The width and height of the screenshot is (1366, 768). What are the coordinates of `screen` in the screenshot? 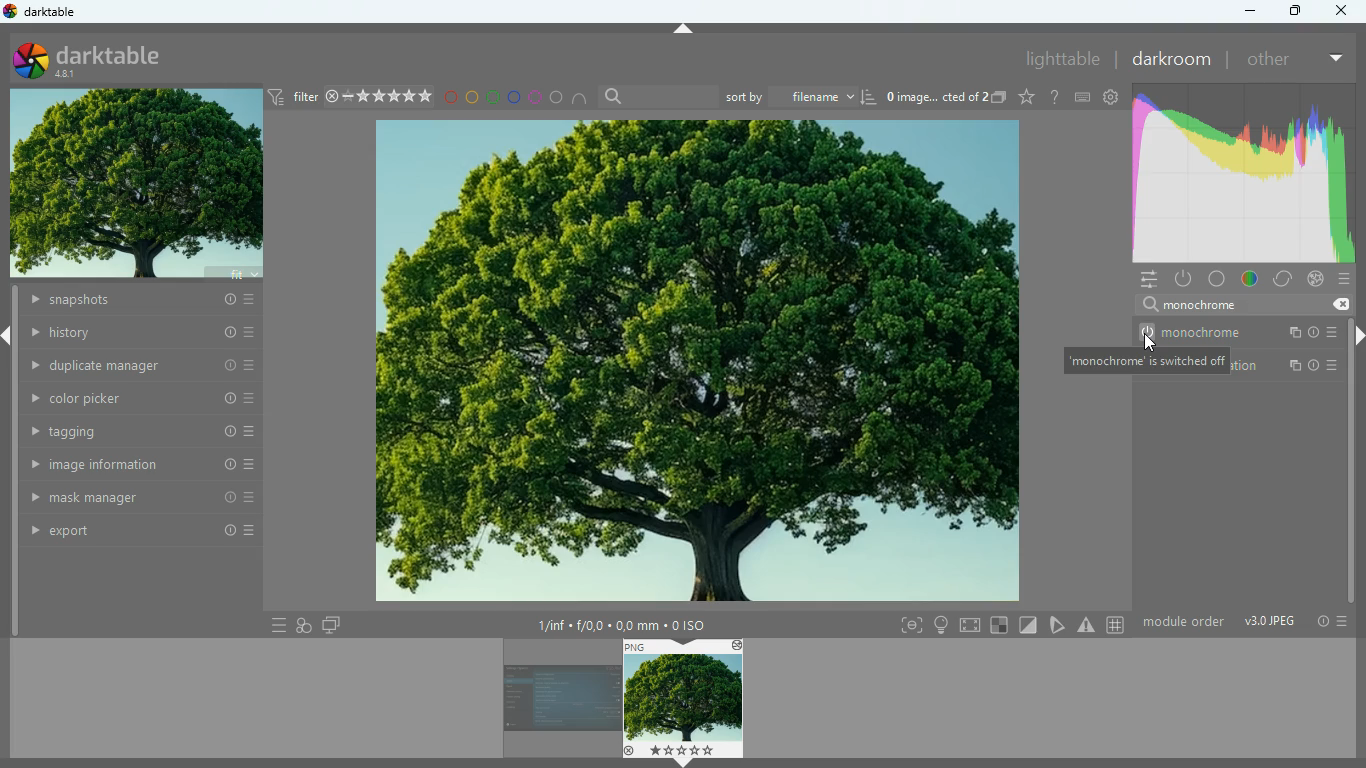 It's located at (969, 625).